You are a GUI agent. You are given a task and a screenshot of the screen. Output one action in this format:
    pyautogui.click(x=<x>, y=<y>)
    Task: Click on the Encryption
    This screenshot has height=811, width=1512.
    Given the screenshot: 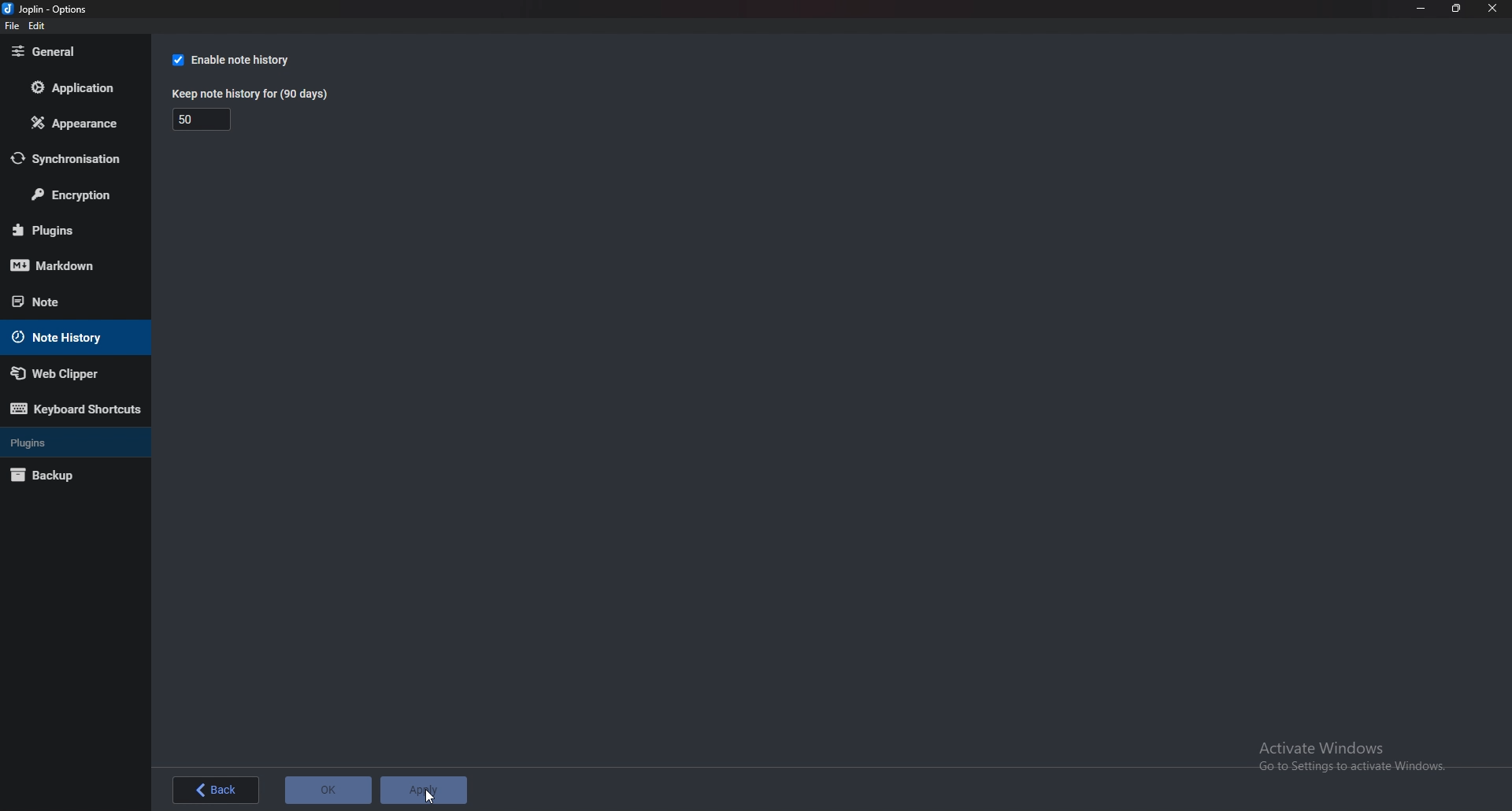 What is the action you would take?
    pyautogui.click(x=72, y=197)
    